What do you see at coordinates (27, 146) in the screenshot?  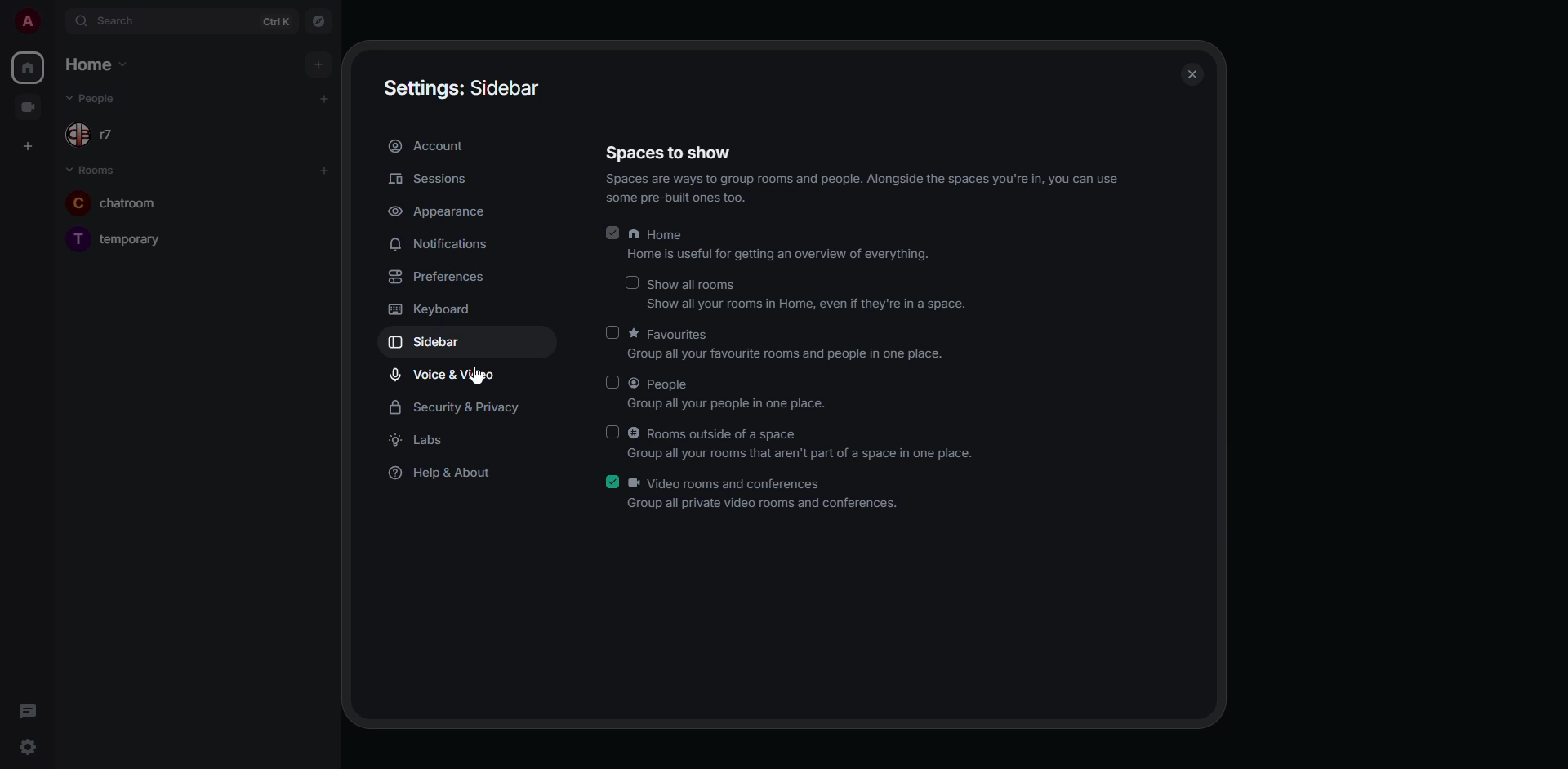 I see `create space` at bounding box center [27, 146].